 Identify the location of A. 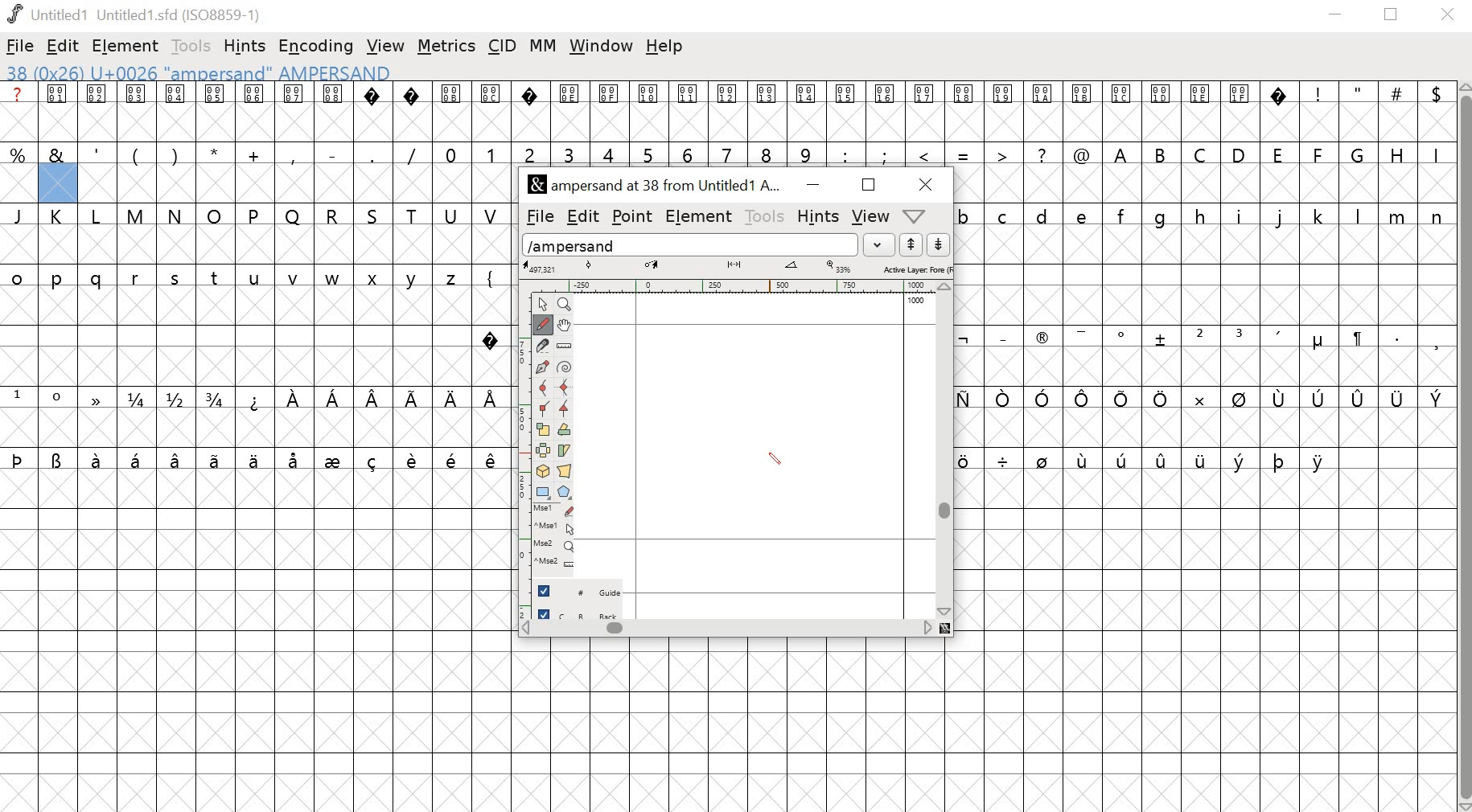
(1122, 153).